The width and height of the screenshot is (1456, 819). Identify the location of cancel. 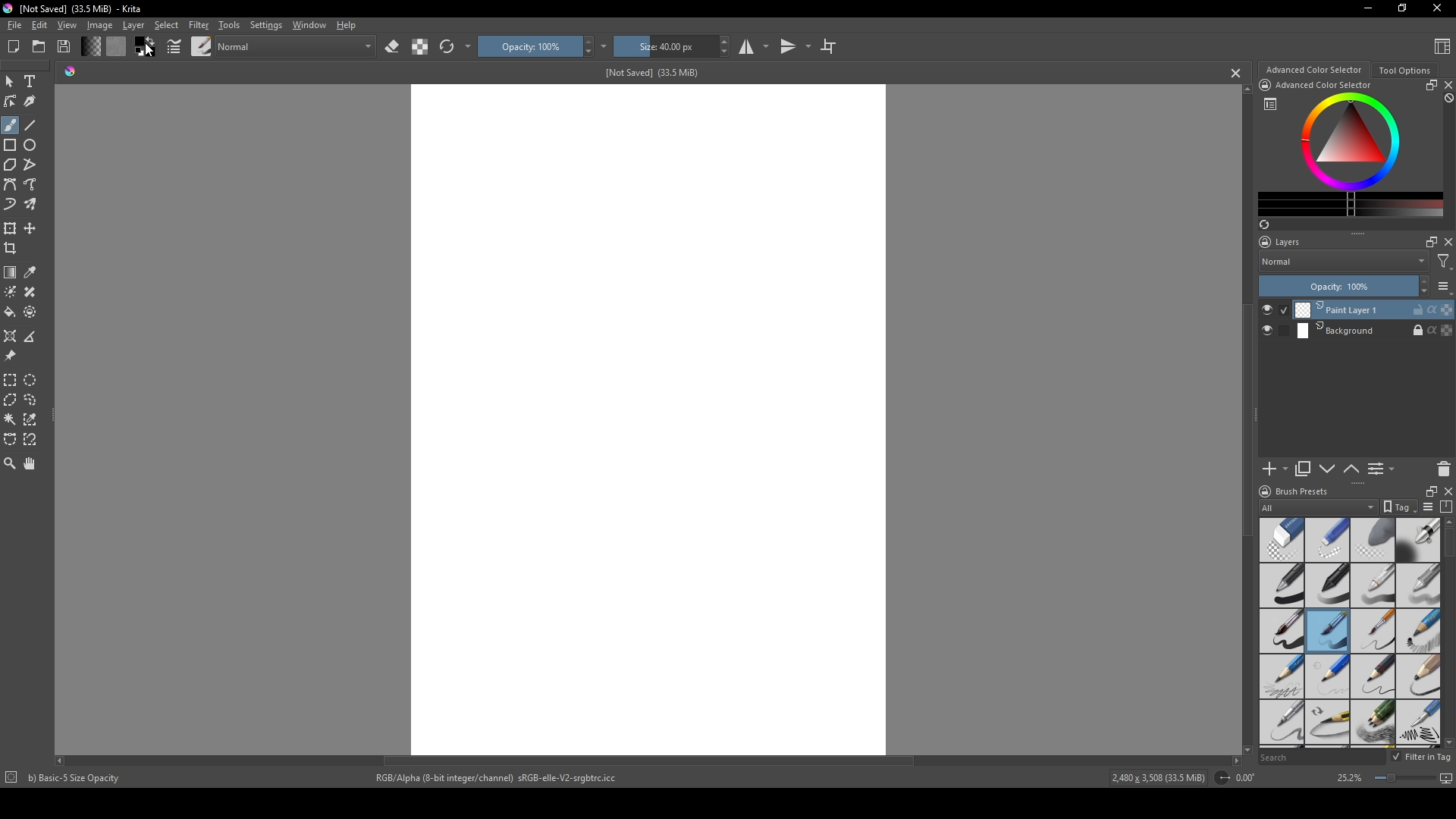
(1237, 73).